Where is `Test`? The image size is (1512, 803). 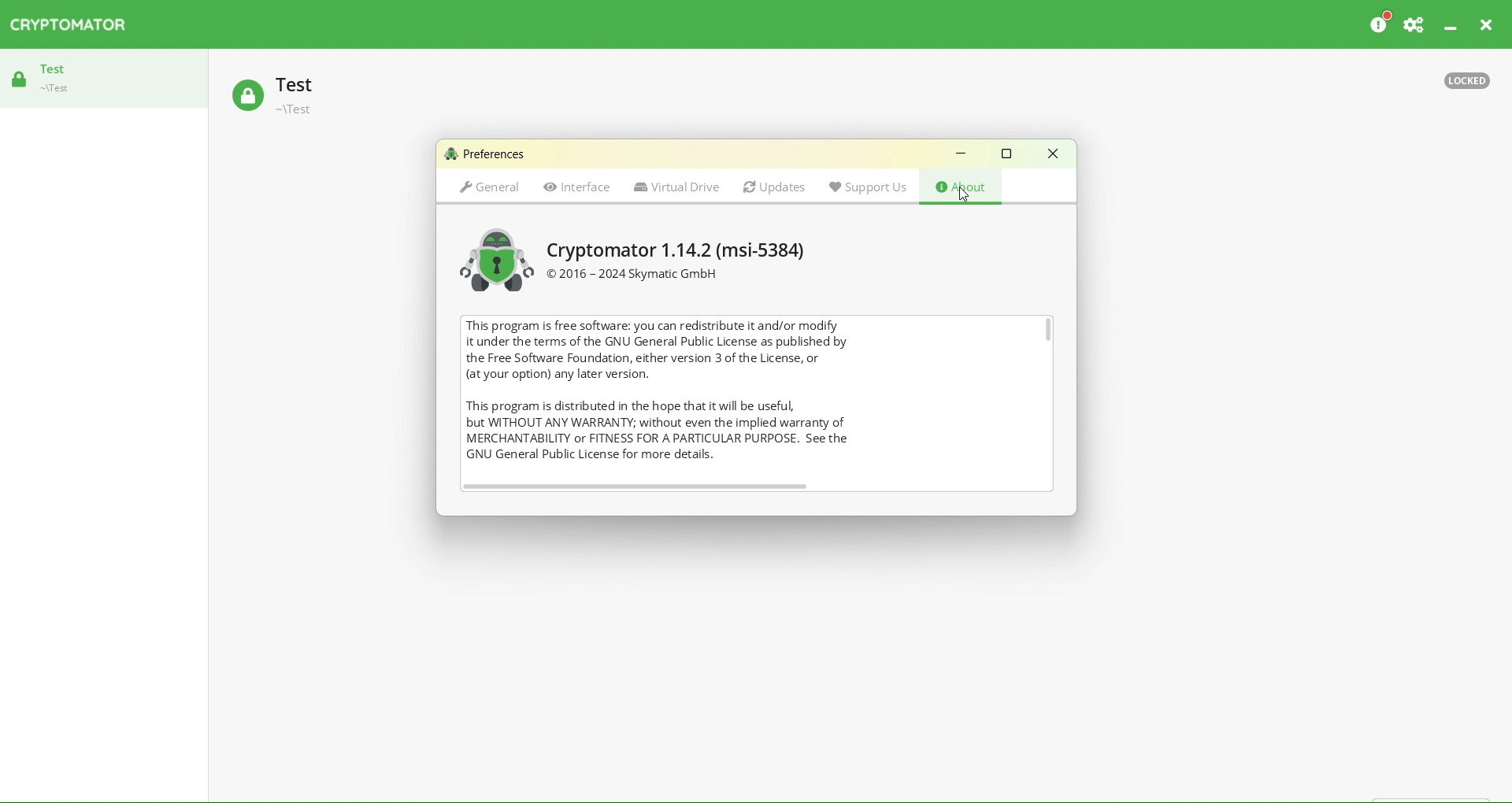 Test is located at coordinates (312, 96).